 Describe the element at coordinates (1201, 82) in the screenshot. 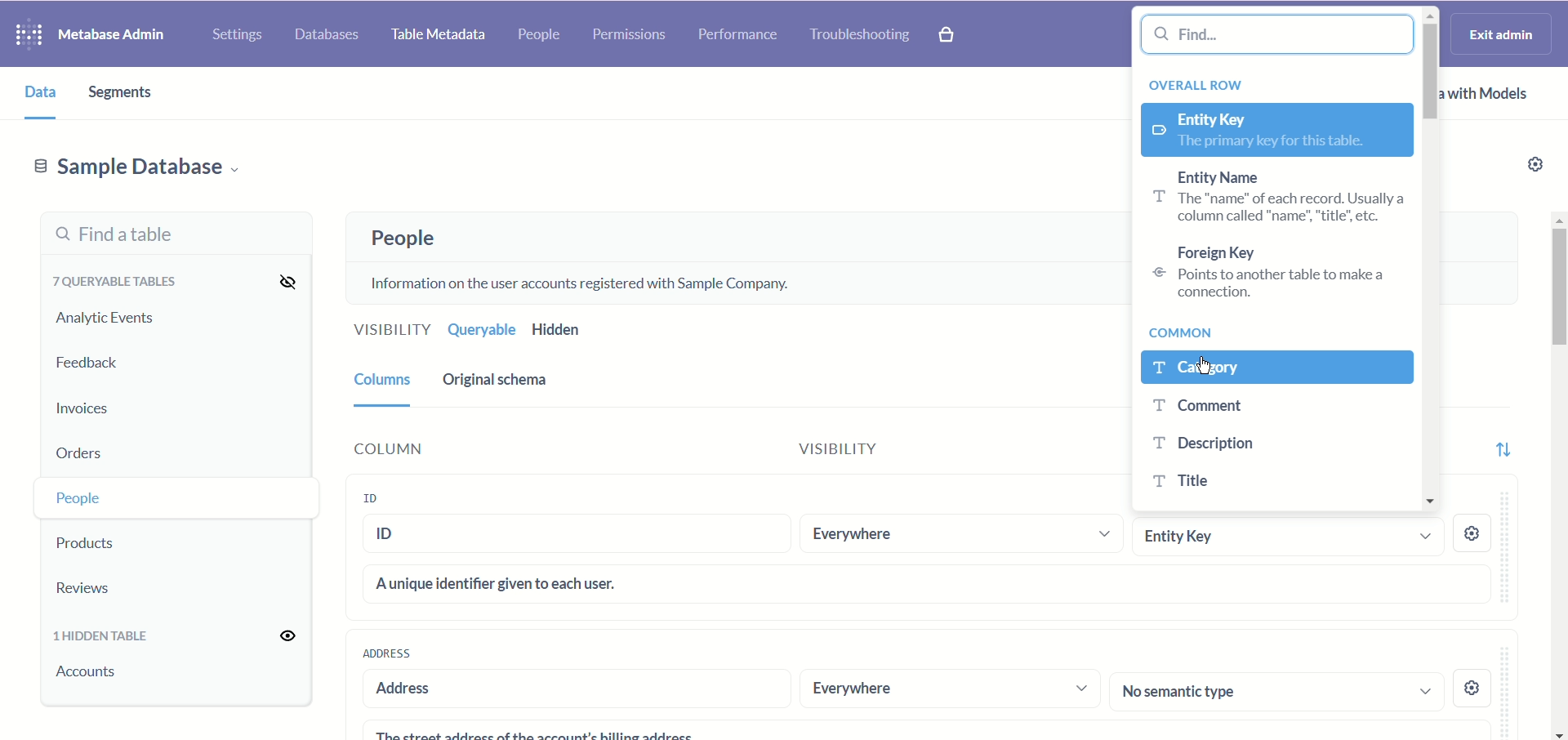

I see `overall row` at that location.